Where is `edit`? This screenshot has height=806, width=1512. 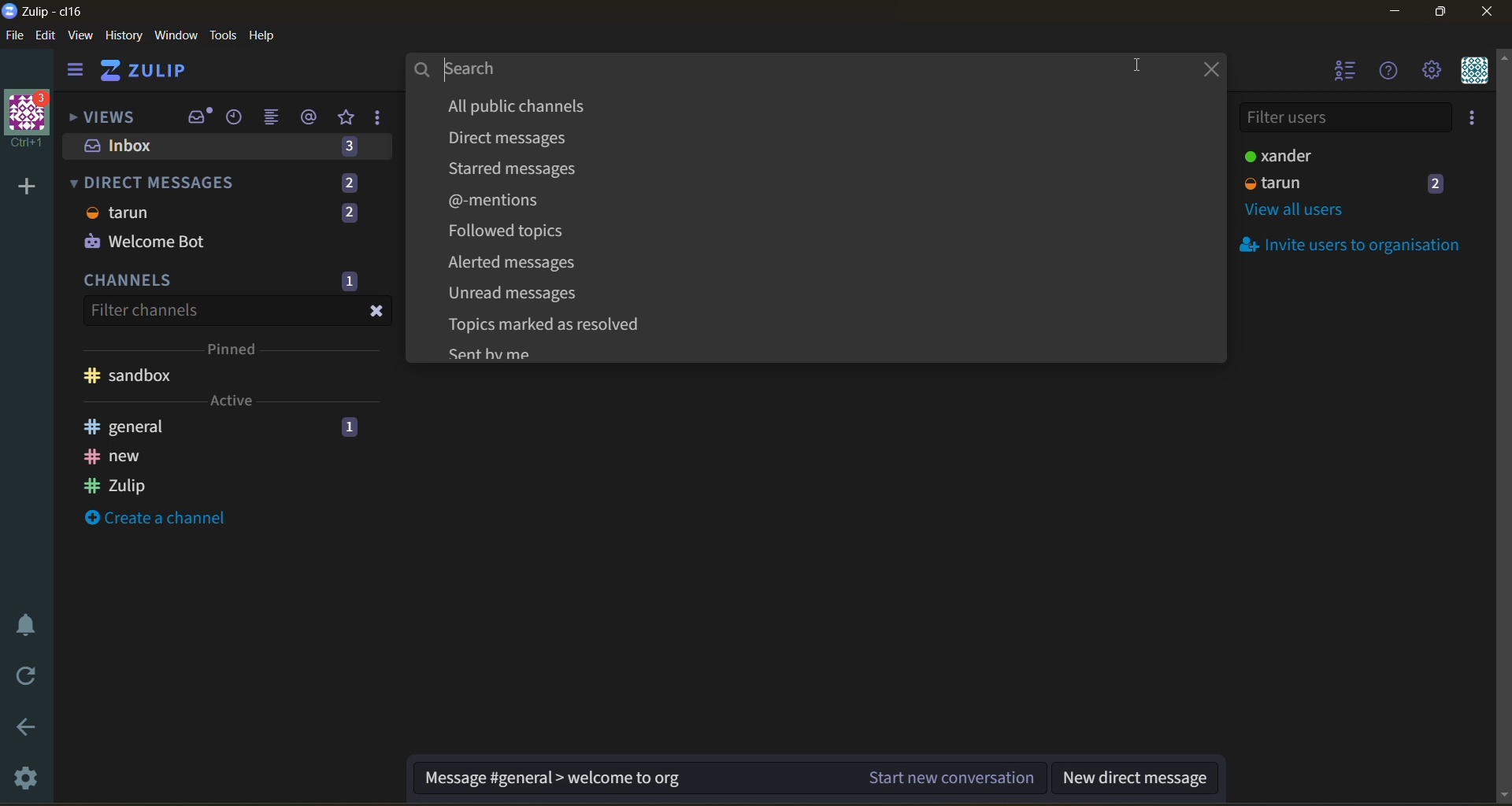 edit is located at coordinates (46, 36).